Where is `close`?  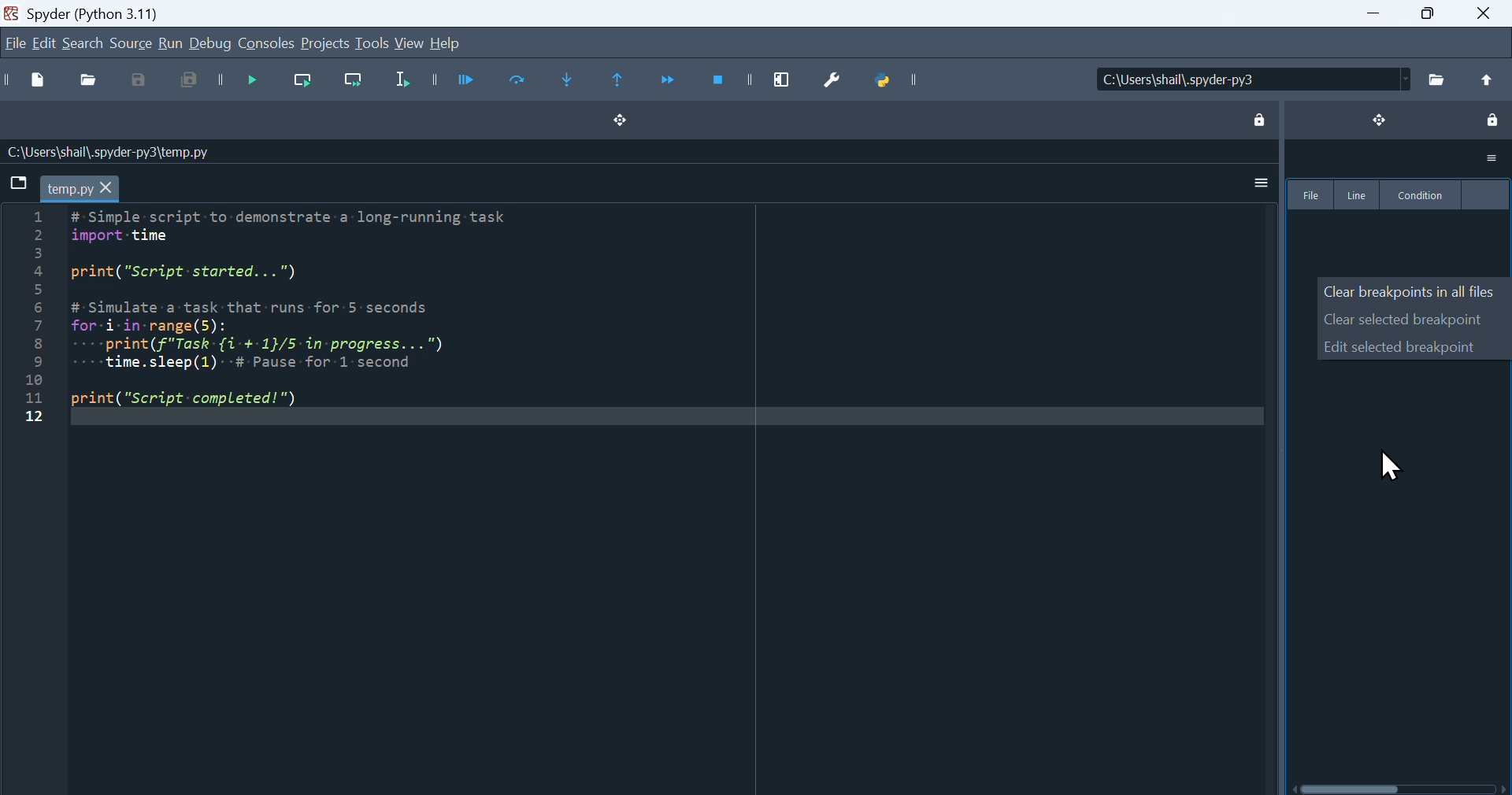
close is located at coordinates (1487, 15).